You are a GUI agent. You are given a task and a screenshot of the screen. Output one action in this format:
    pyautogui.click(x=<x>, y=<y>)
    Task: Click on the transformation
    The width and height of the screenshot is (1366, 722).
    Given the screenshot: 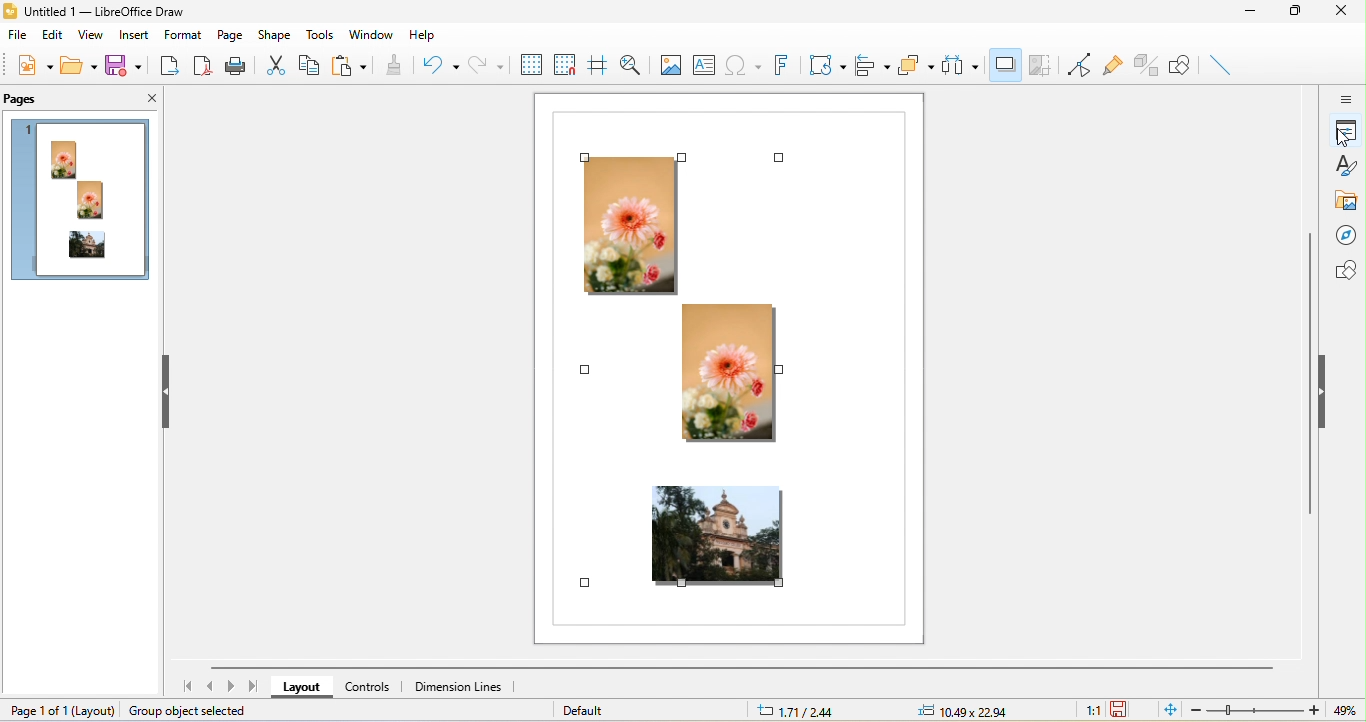 What is the action you would take?
    pyautogui.click(x=826, y=63)
    